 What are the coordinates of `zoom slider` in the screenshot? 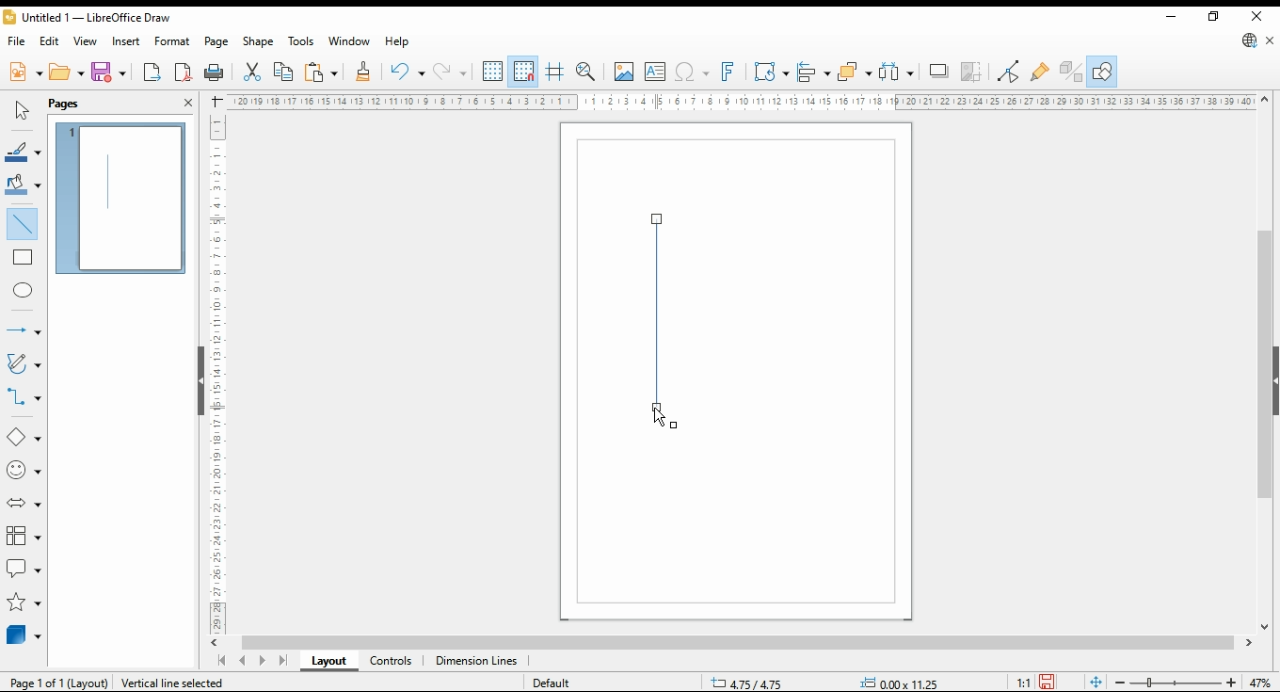 It's located at (1176, 684).